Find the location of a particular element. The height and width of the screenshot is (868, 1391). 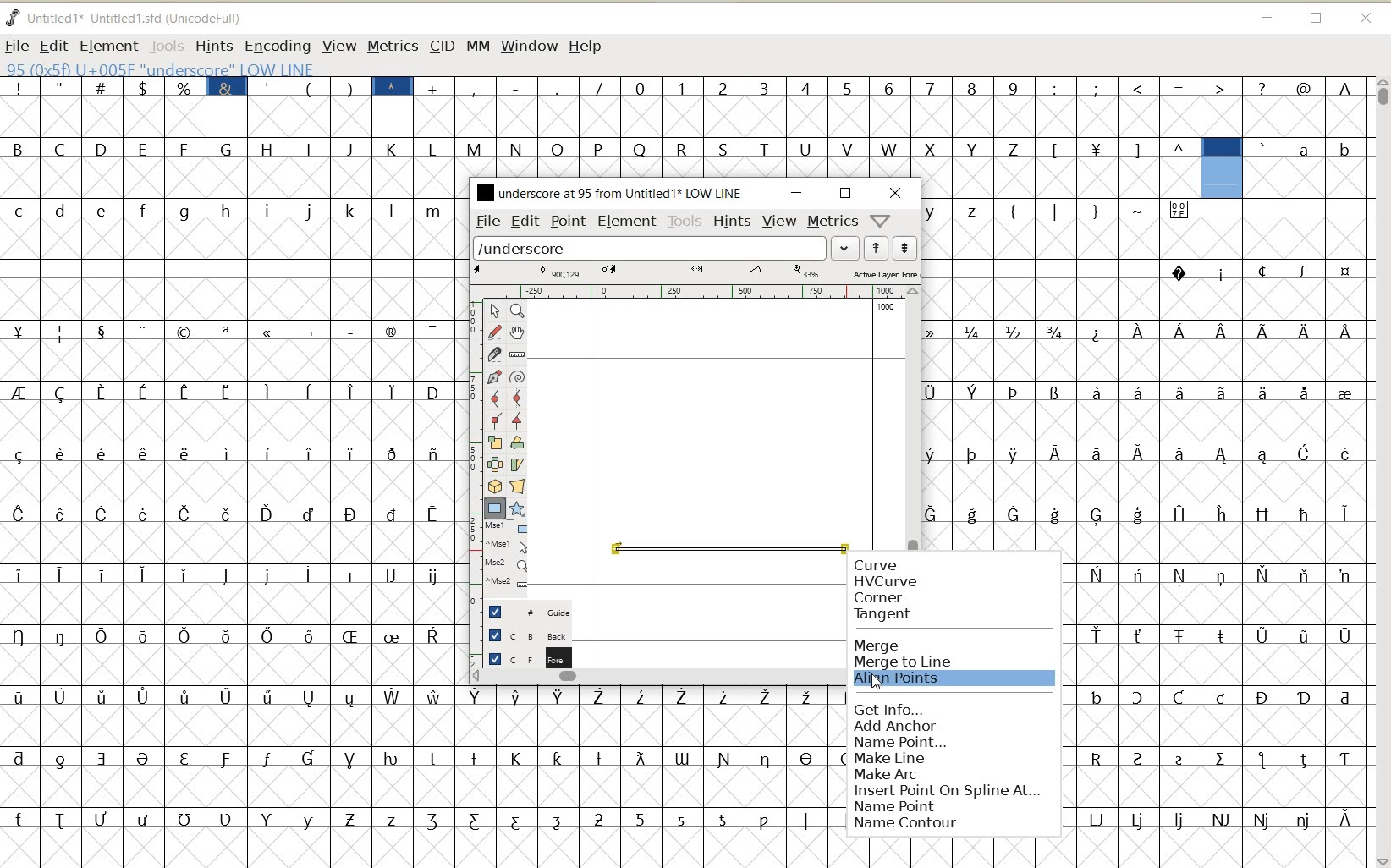

perform a perspective transformation on the selection is located at coordinates (517, 486).